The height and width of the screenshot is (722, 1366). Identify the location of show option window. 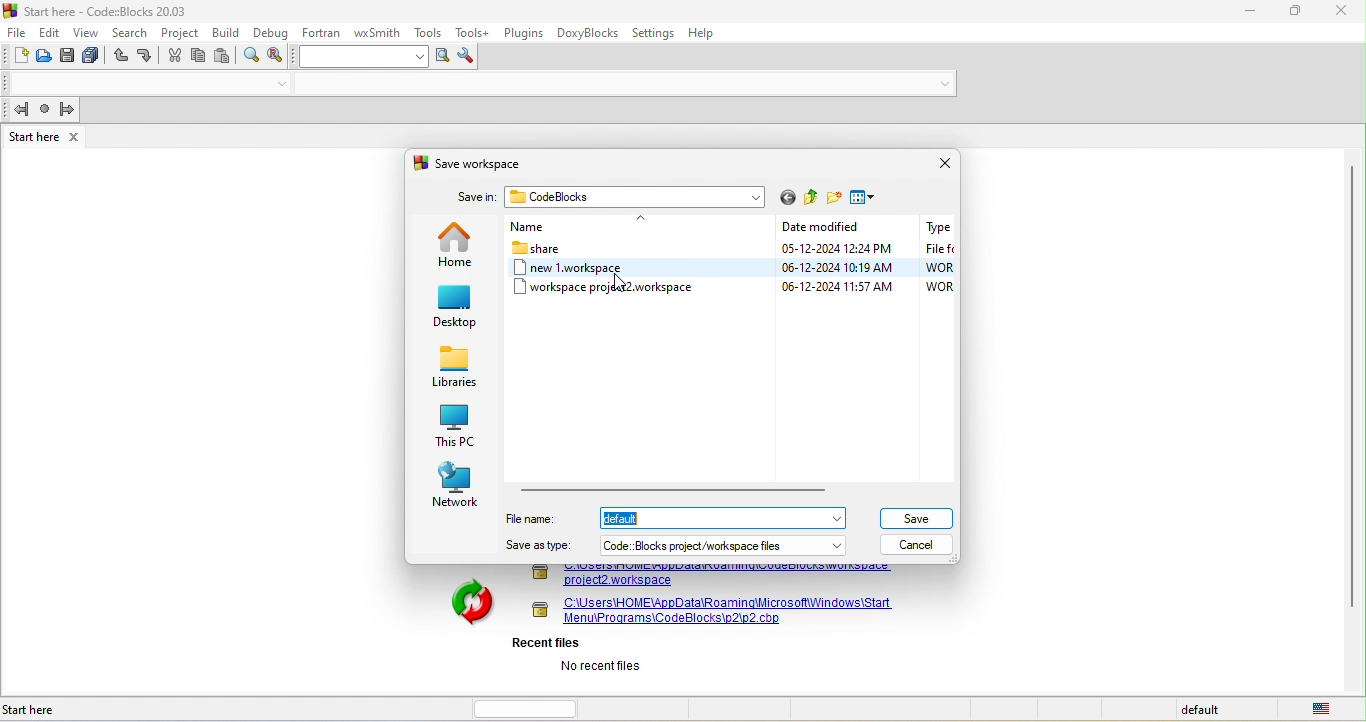
(469, 57).